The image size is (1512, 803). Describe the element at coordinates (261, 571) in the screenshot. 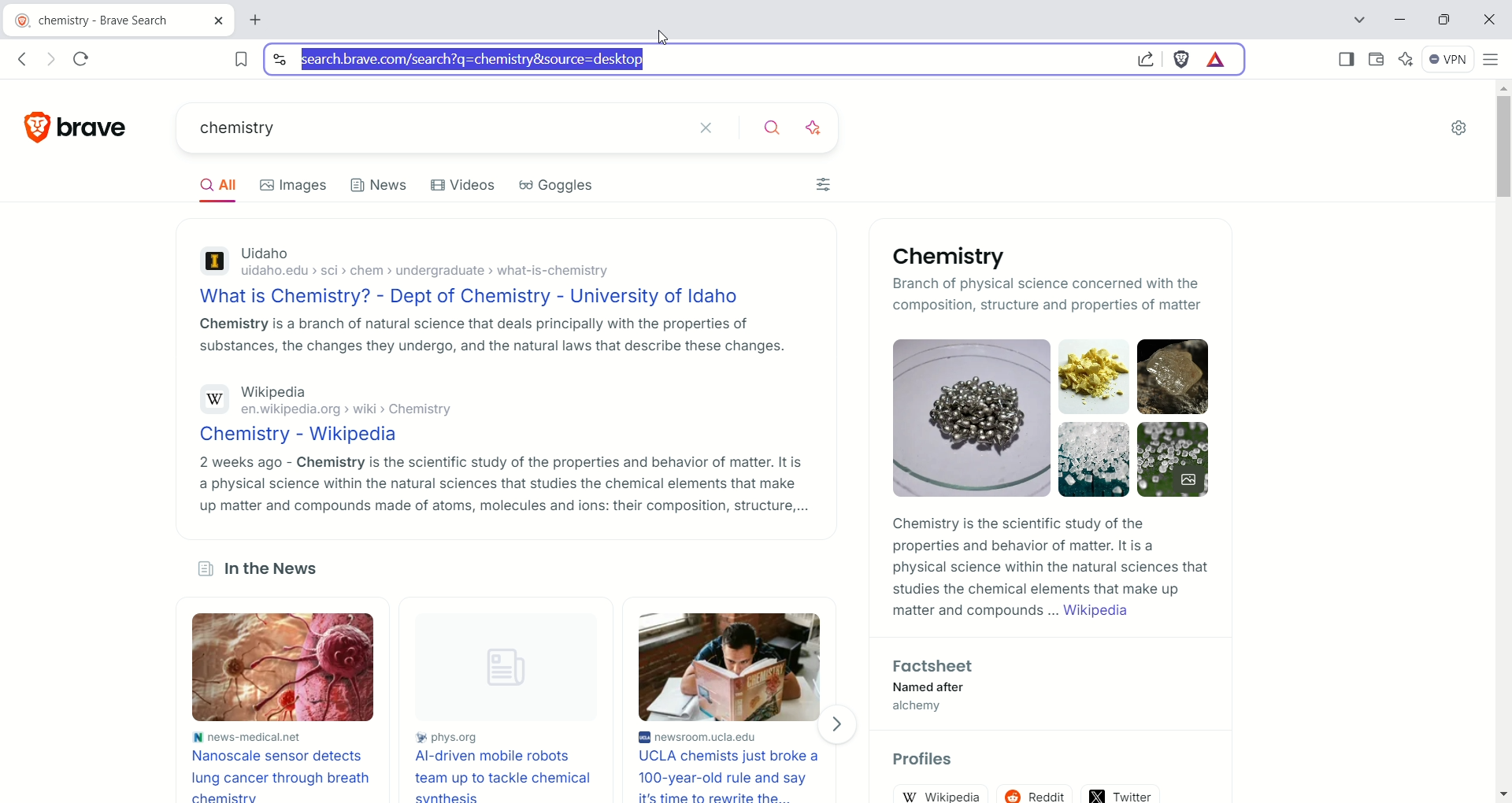

I see `In the News` at that location.